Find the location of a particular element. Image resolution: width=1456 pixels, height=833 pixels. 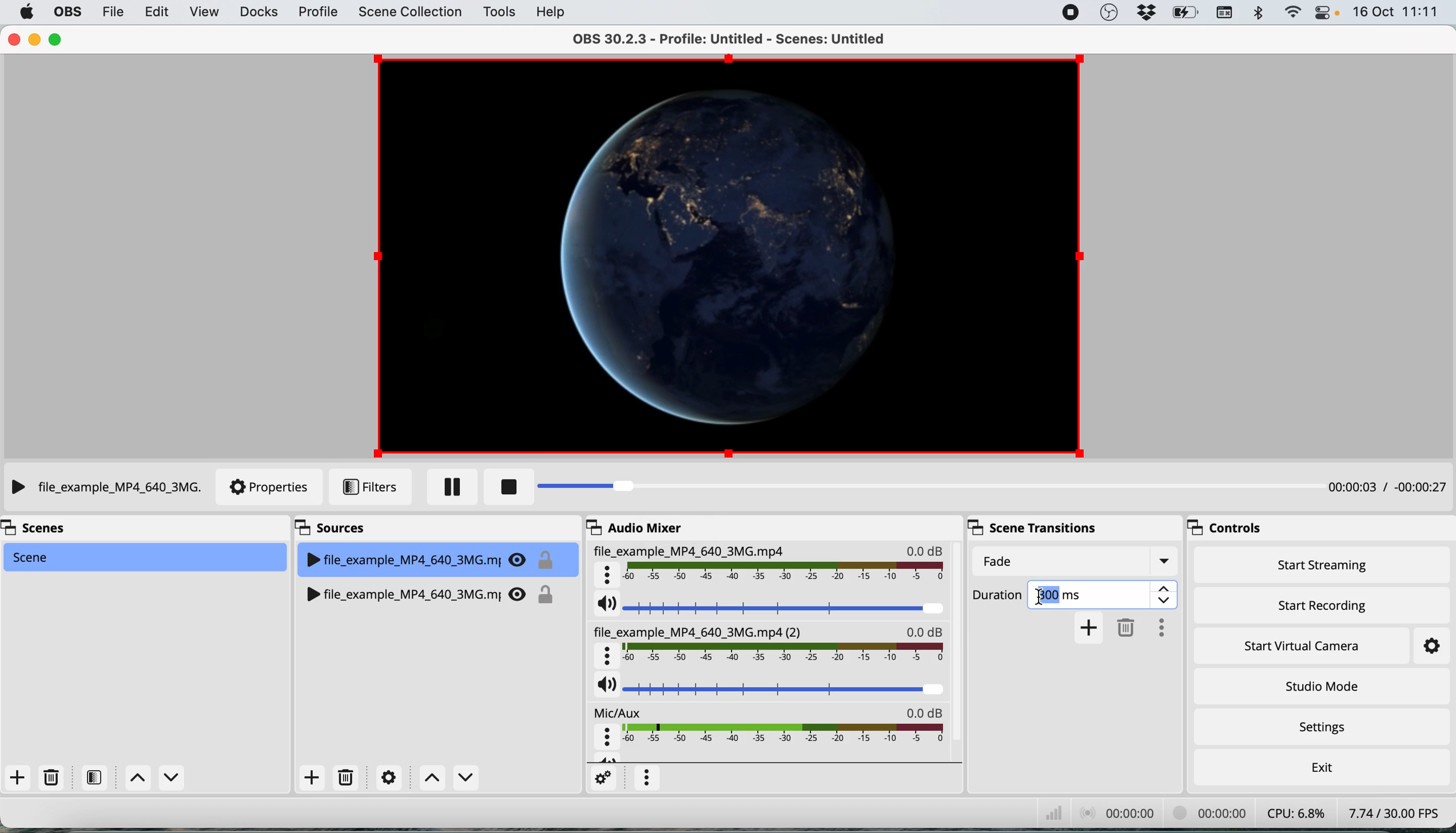

properties is located at coordinates (270, 487).